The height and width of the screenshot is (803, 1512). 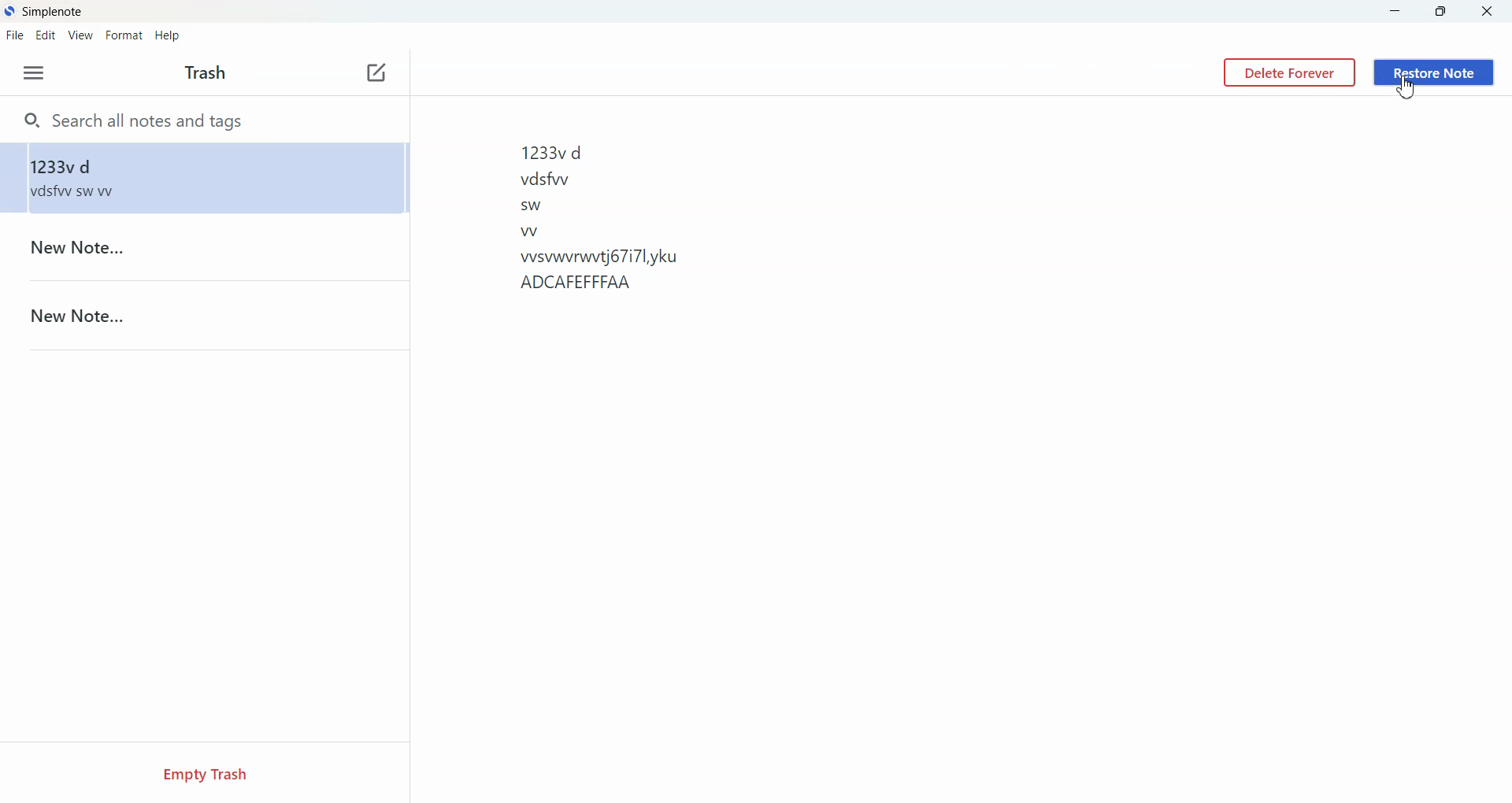 What do you see at coordinates (204, 119) in the screenshot?
I see `Search all notes and tags` at bounding box center [204, 119].